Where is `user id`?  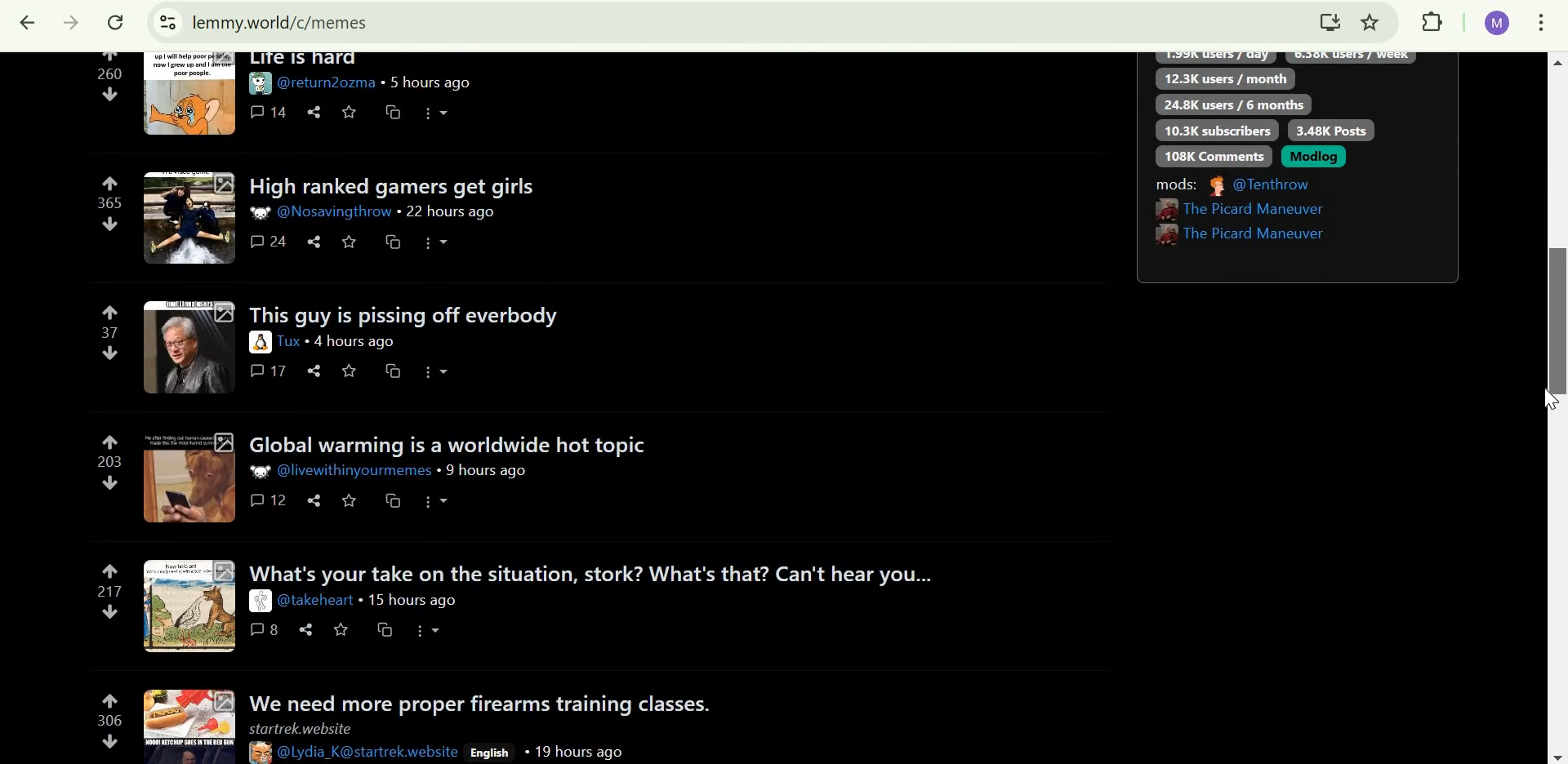 user id is located at coordinates (292, 342).